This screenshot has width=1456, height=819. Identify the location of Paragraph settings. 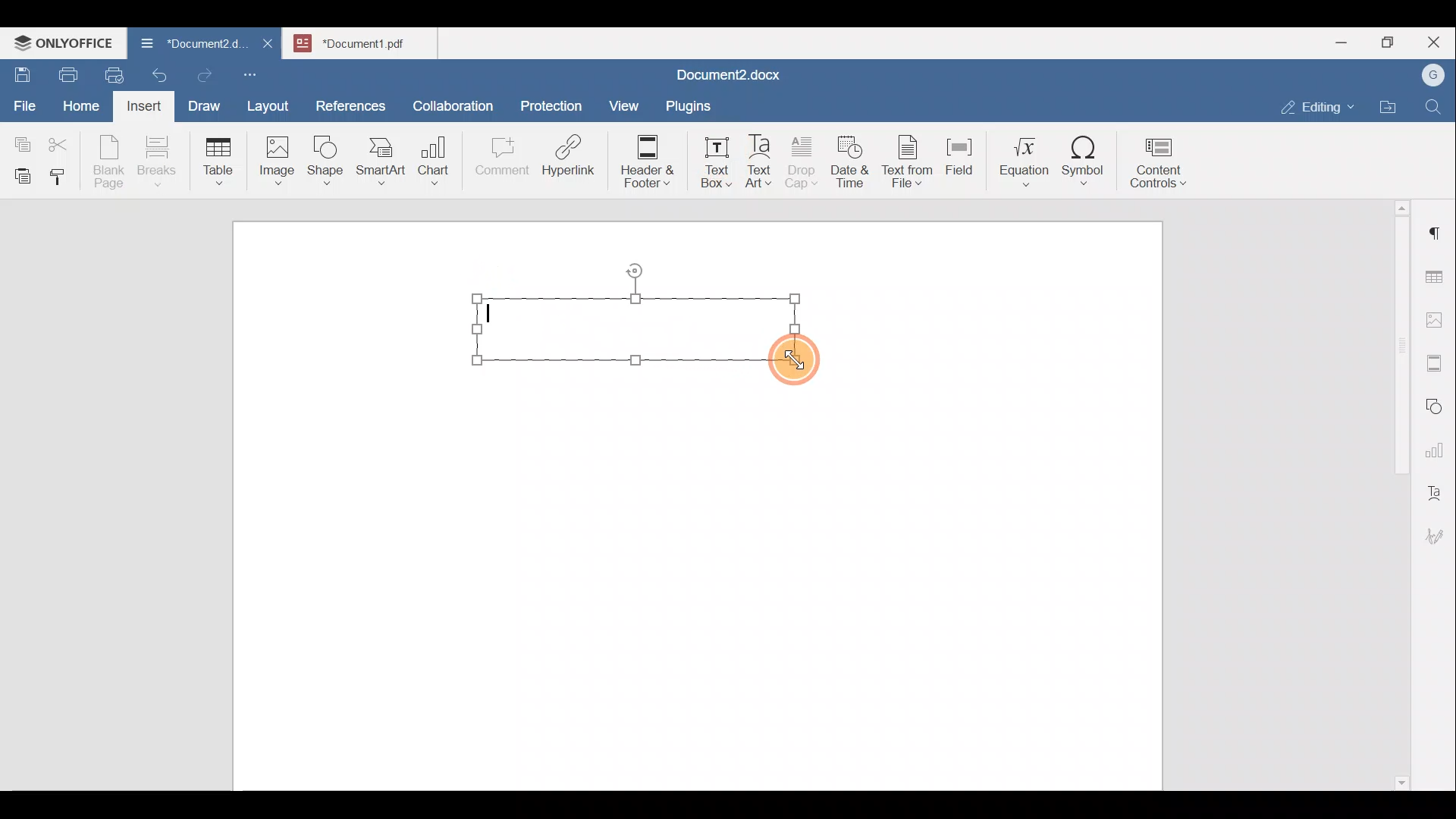
(1436, 227).